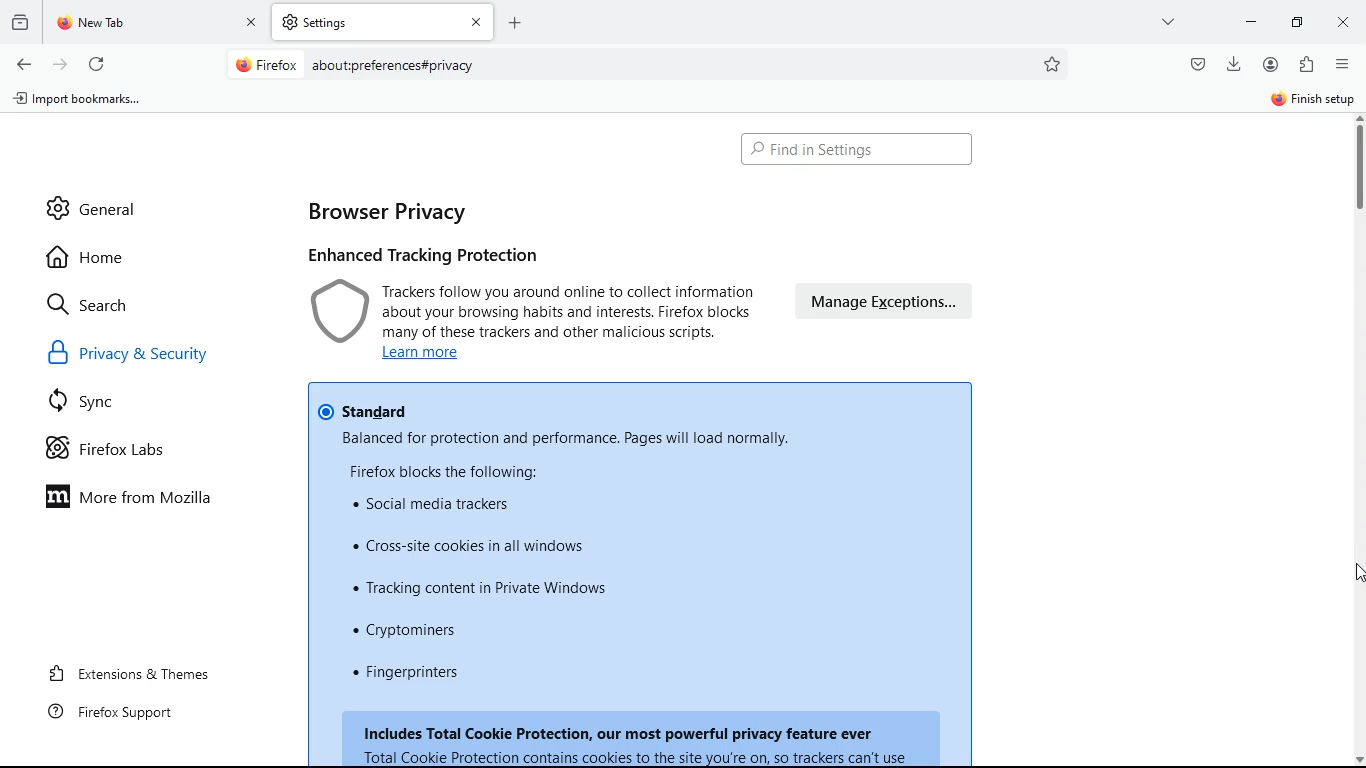 Image resolution: width=1366 pixels, height=768 pixels. What do you see at coordinates (565, 439) in the screenshot?
I see `| Balanced for protection and performance. Pages will load normally.` at bounding box center [565, 439].